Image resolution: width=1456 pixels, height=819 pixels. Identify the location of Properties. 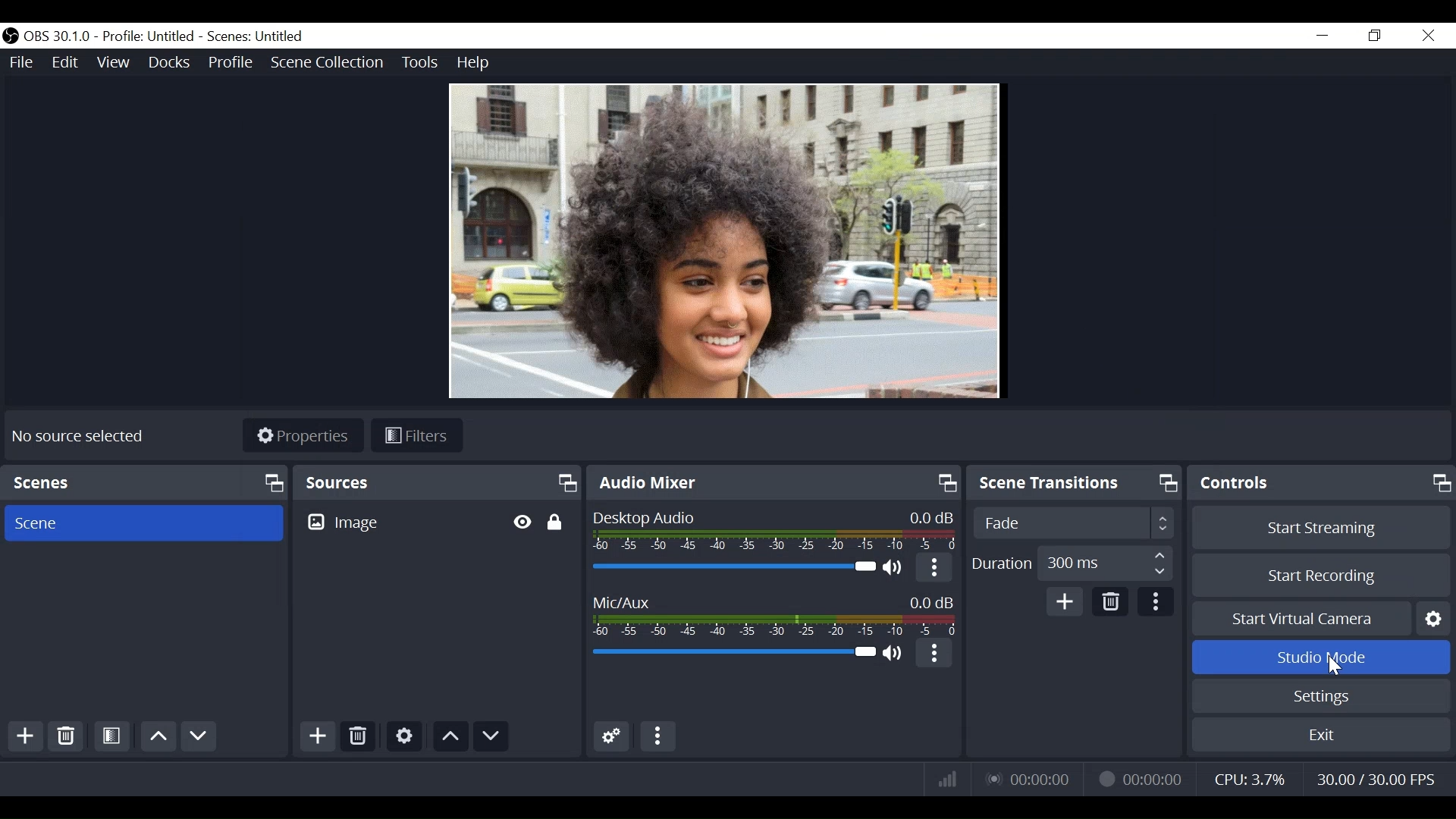
(303, 436).